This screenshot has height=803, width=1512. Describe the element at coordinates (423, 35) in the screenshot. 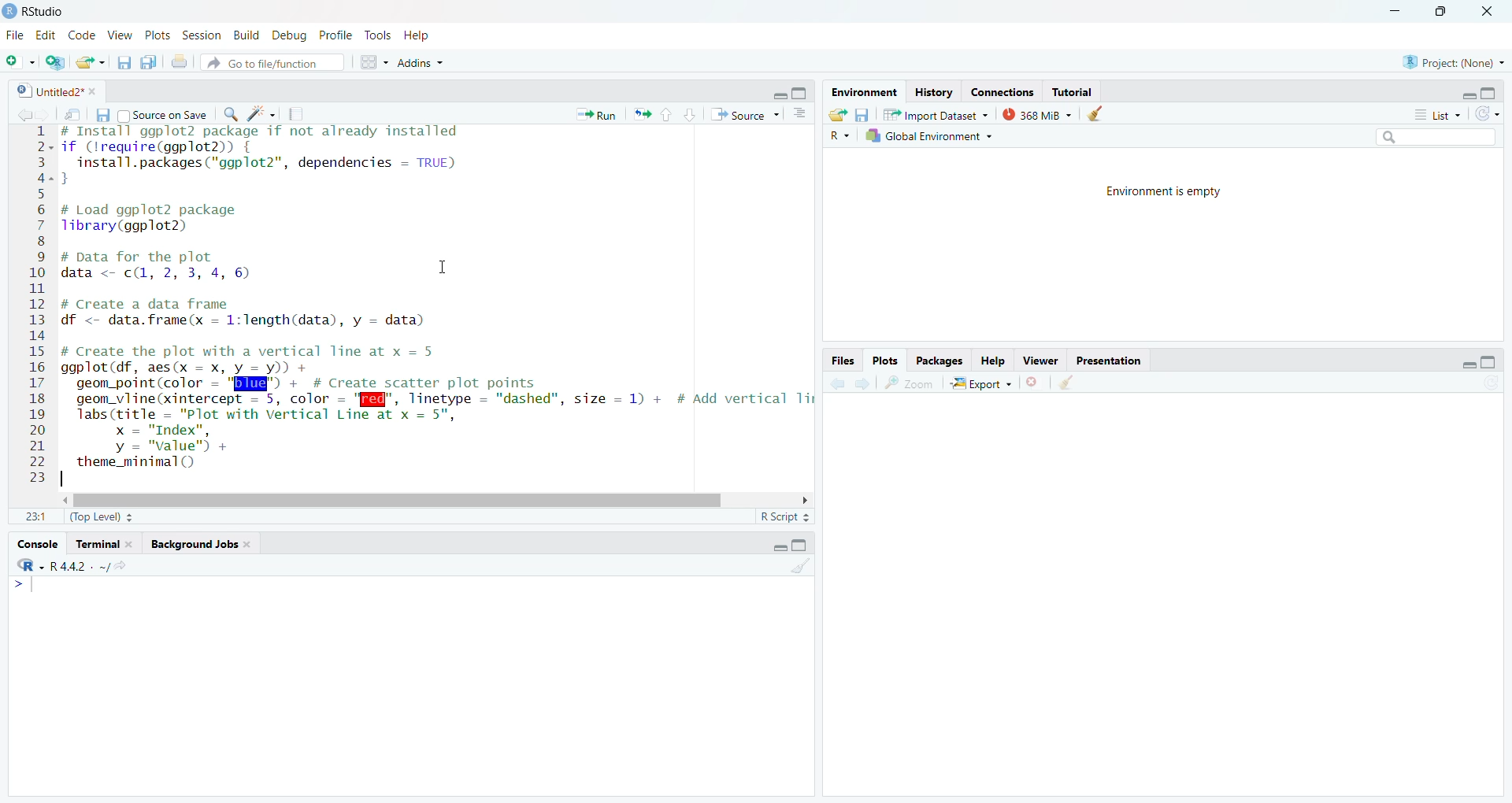

I see `Help` at that location.